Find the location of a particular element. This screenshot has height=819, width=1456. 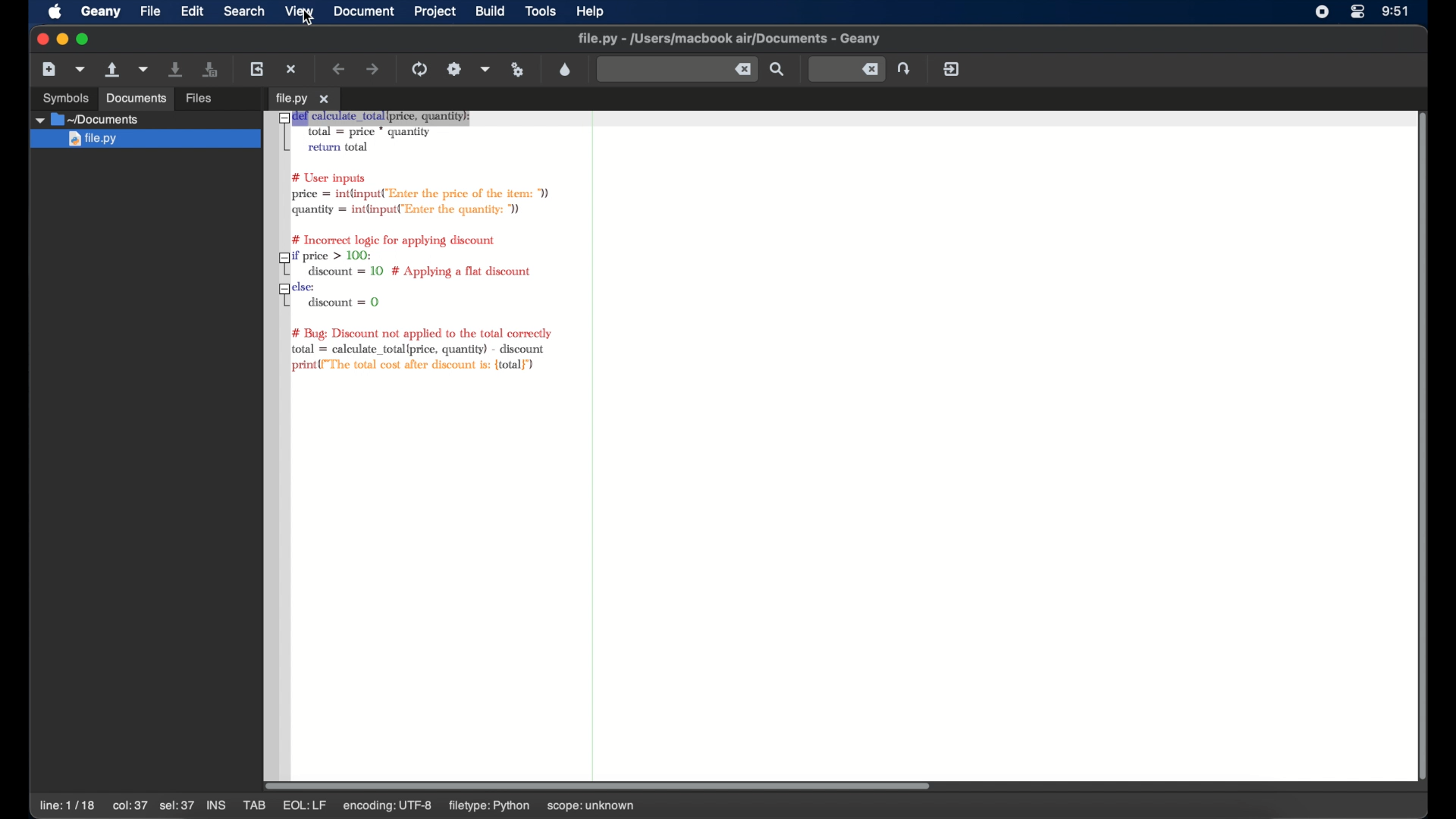

search is located at coordinates (244, 11).